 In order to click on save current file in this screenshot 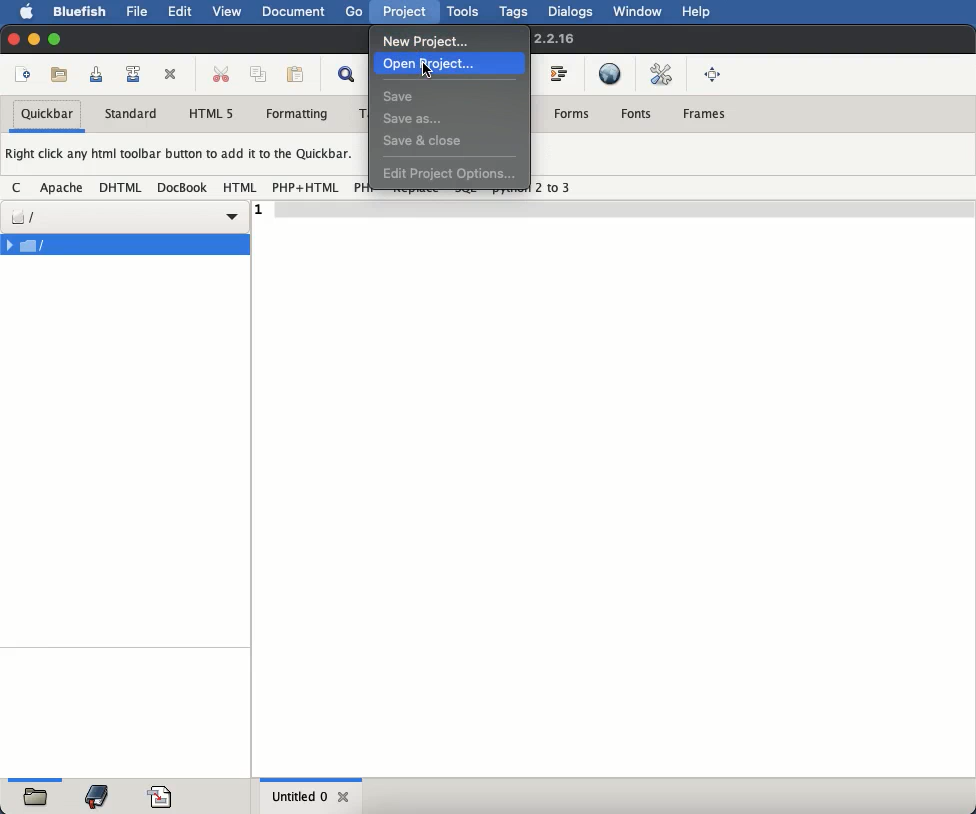, I will do `click(96, 74)`.